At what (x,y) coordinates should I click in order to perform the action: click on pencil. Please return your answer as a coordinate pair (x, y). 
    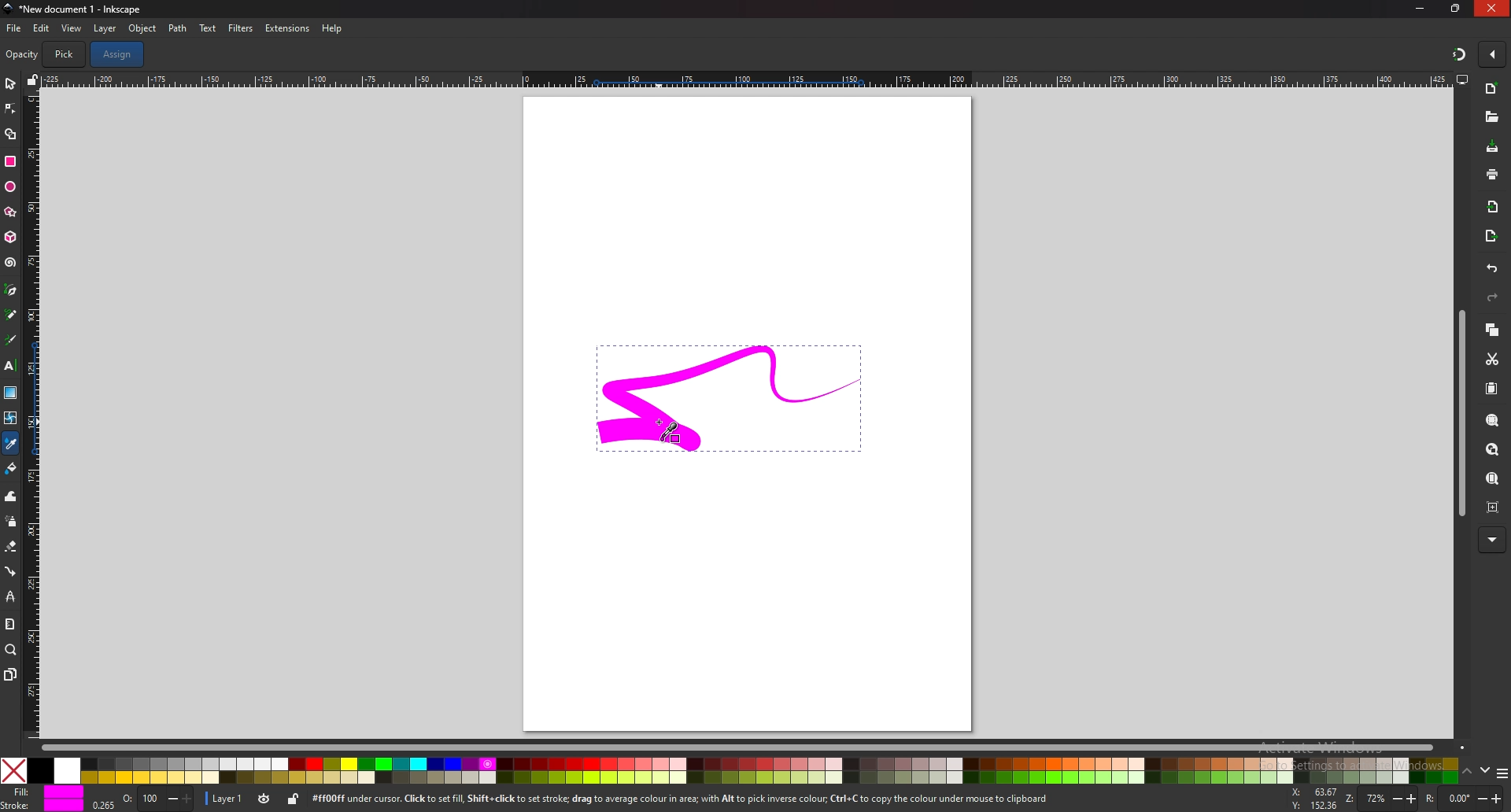
    Looking at the image, I should click on (11, 314).